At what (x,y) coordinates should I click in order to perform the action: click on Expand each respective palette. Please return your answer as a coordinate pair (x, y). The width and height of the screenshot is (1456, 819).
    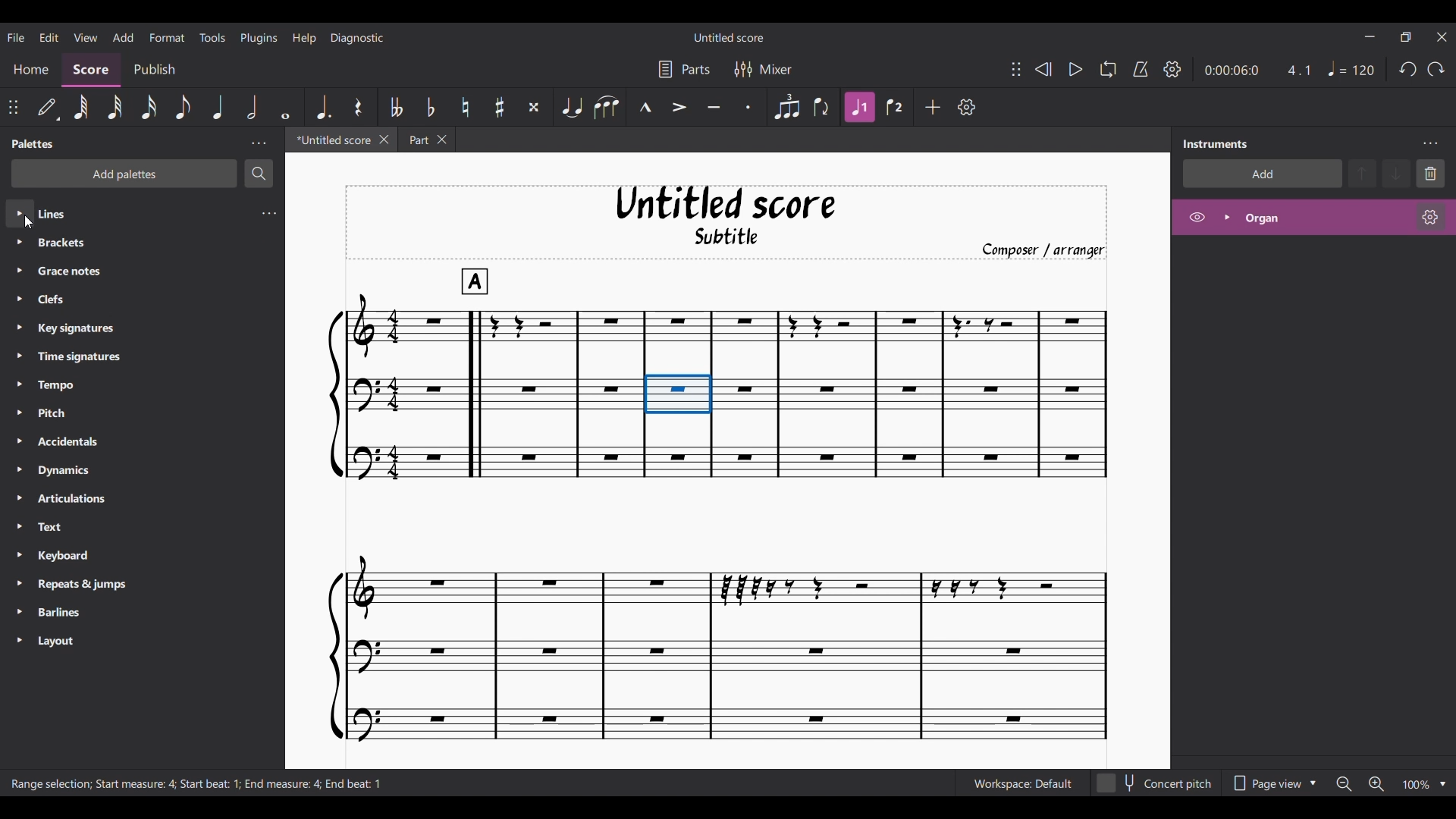
    Looking at the image, I should click on (19, 419).